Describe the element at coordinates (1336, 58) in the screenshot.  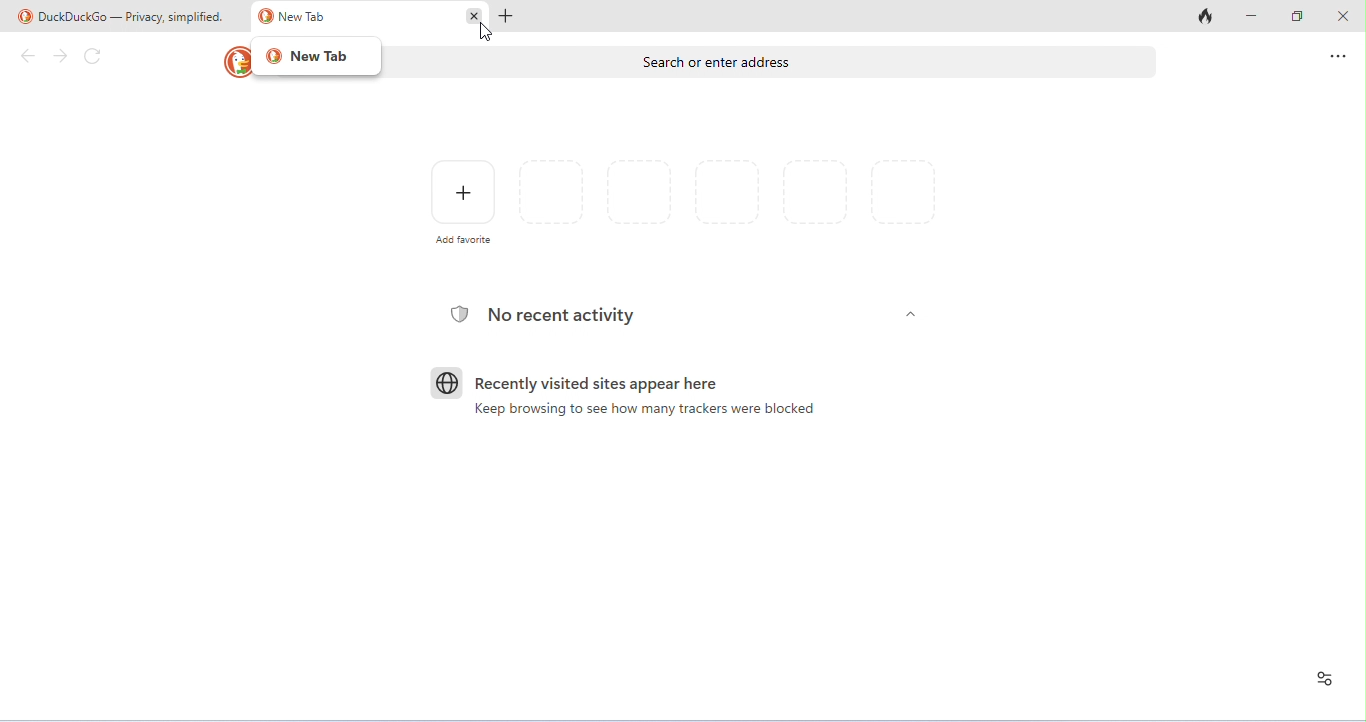
I see `new tab, new window, bookmark, settings and more` at that location.